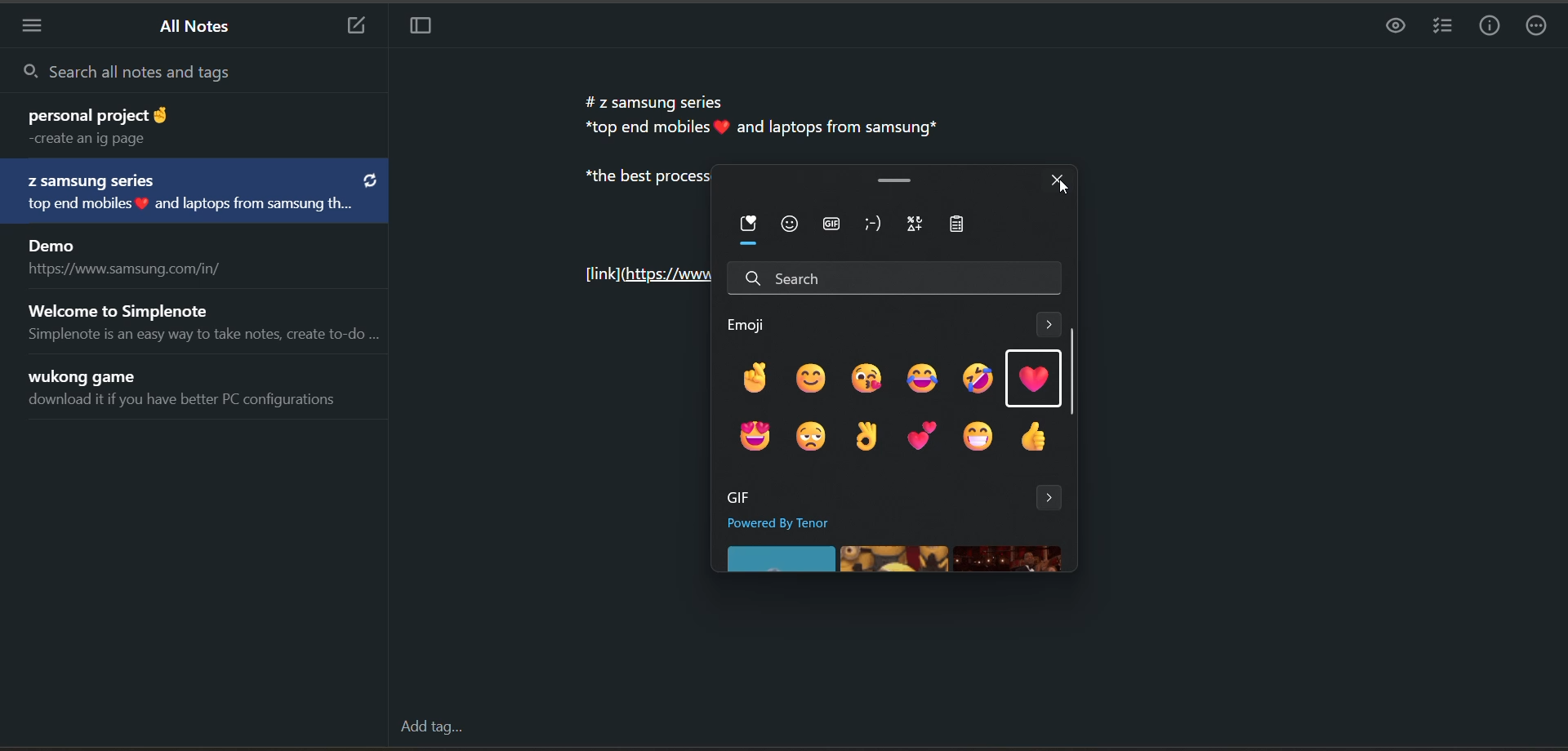 Image resolution: width=1568 pixels, height=751 pixels. Describe the element at coordinates (753, 224) in the screenshot. I see `most recently used` at that location.